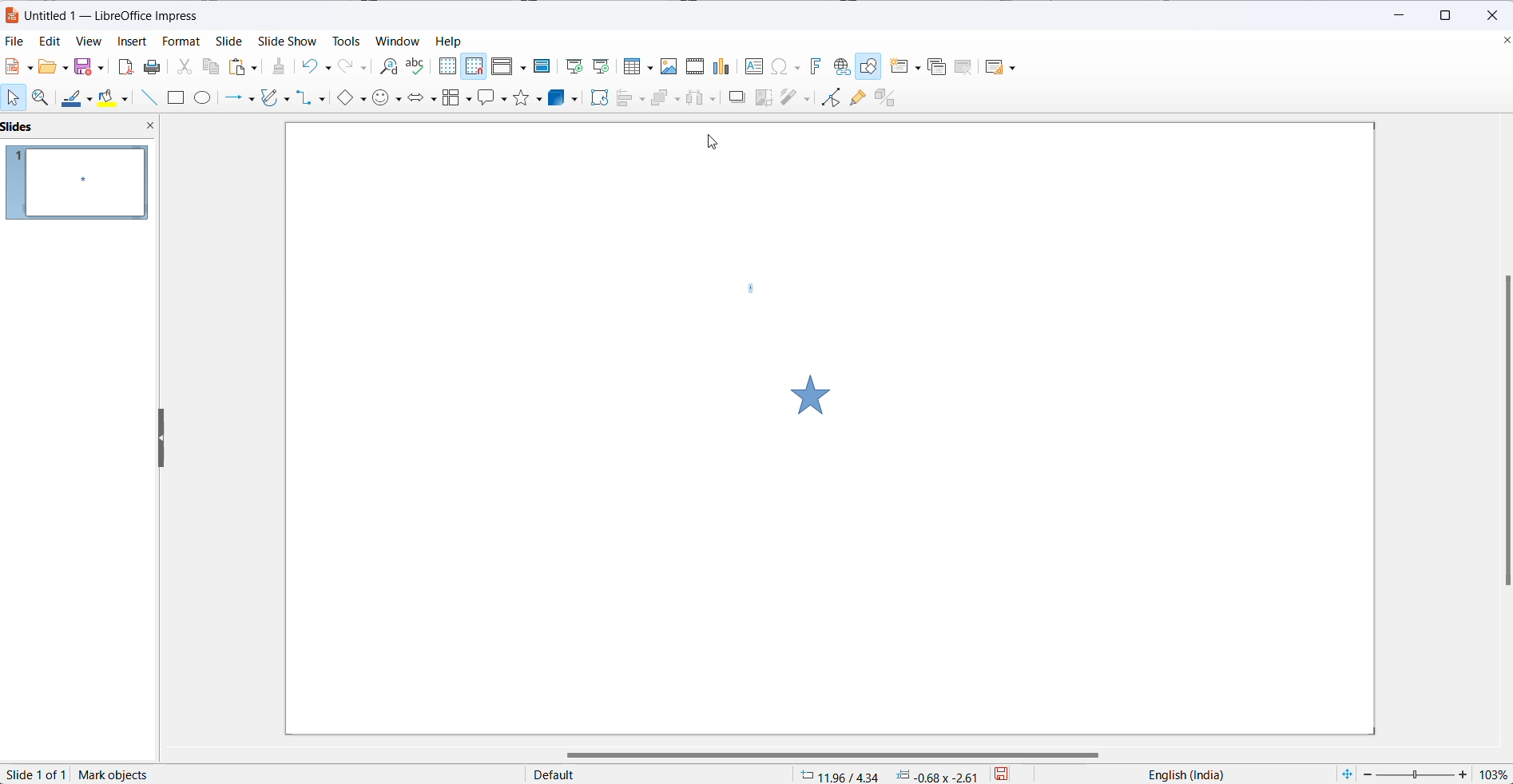 The width and height of the screenshot is (1513, 784). What do you see at coordinates (162, 439) in the screenshot?
I see `resize` at bounding box center [162, 439].